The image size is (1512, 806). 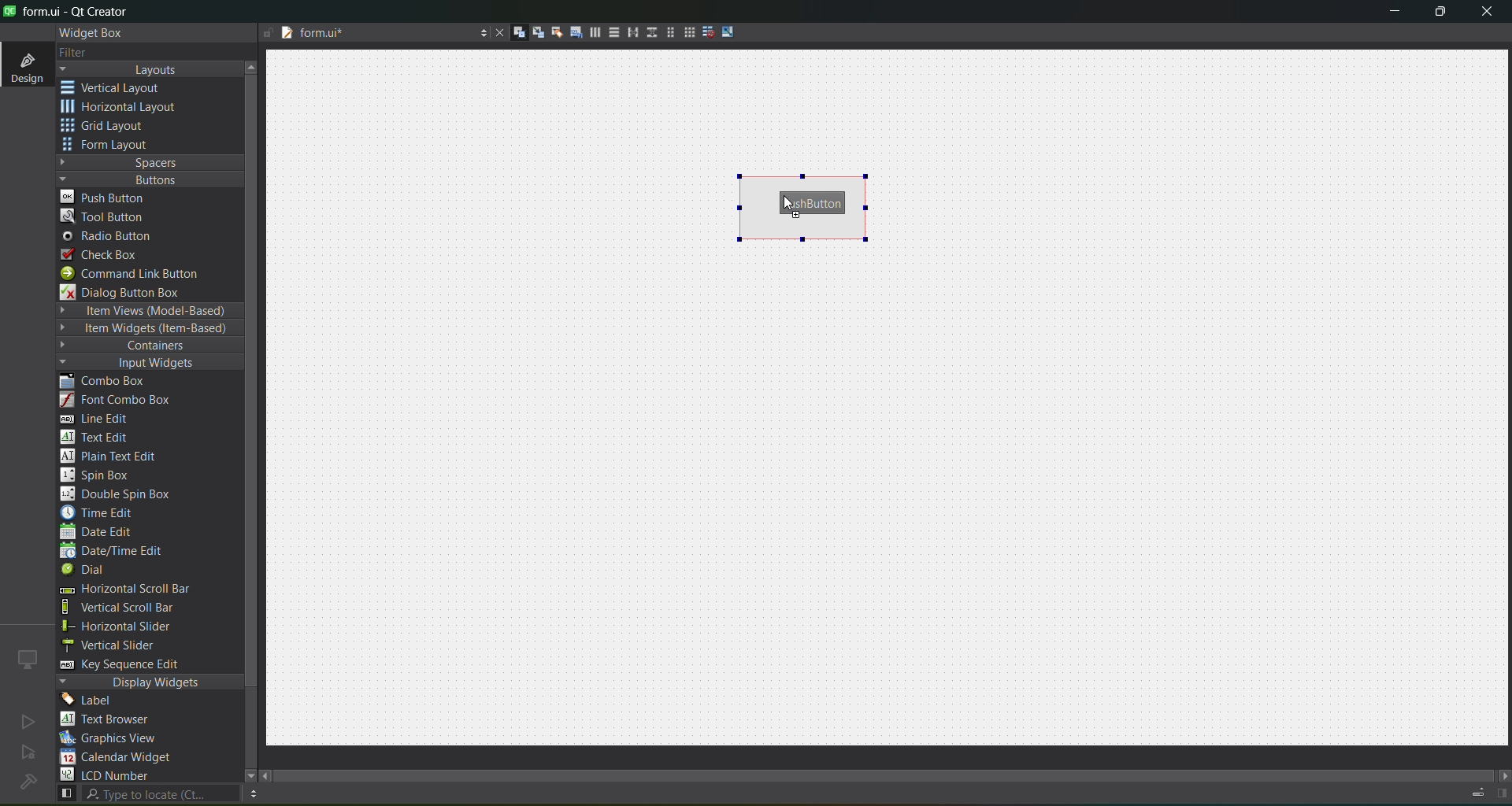 I want to click on text edit, so click(x=99, y=436).